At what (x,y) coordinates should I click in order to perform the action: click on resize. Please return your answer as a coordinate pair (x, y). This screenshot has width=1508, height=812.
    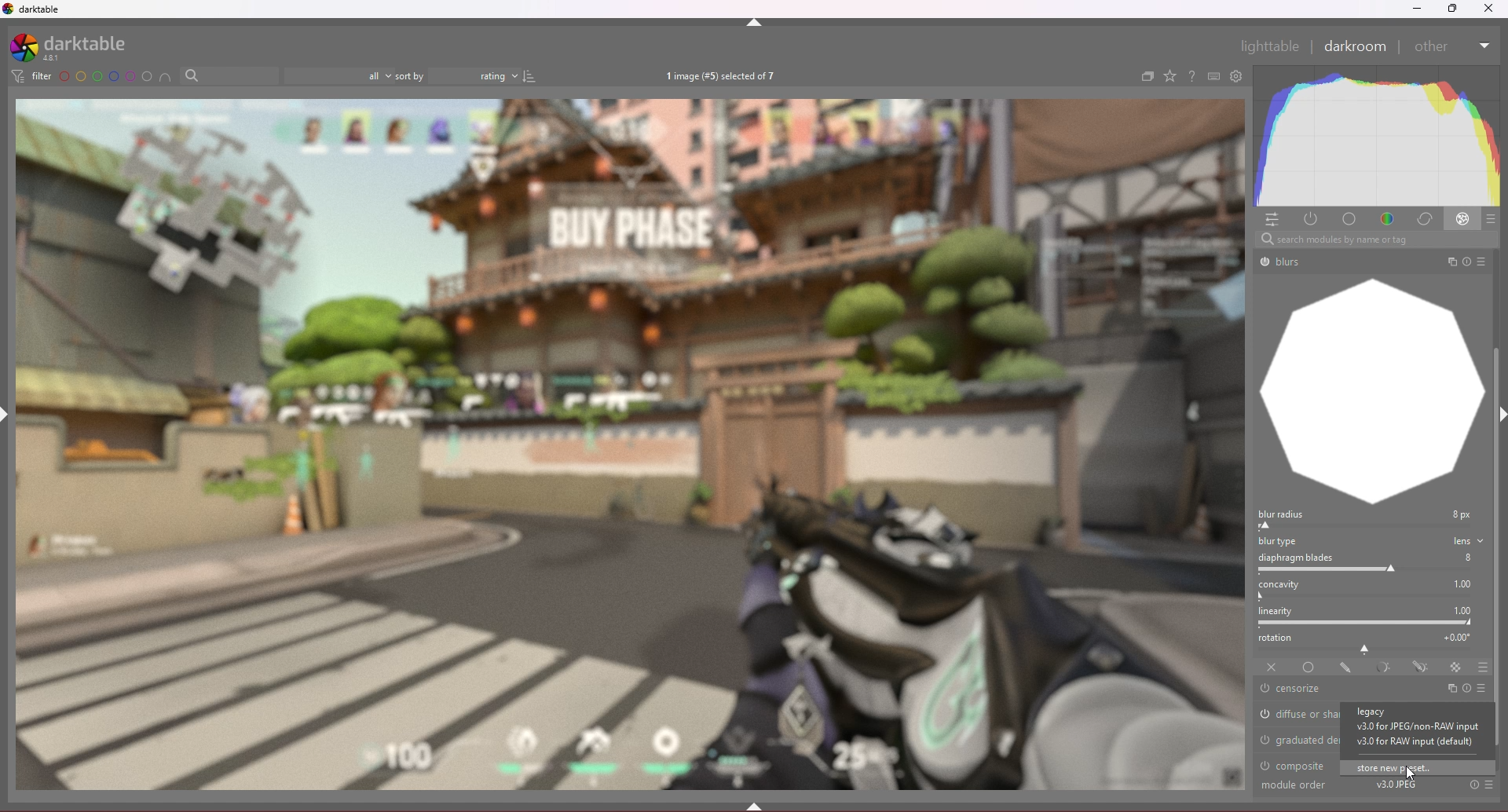
    Looking at the image, I should click on (1451, 9).